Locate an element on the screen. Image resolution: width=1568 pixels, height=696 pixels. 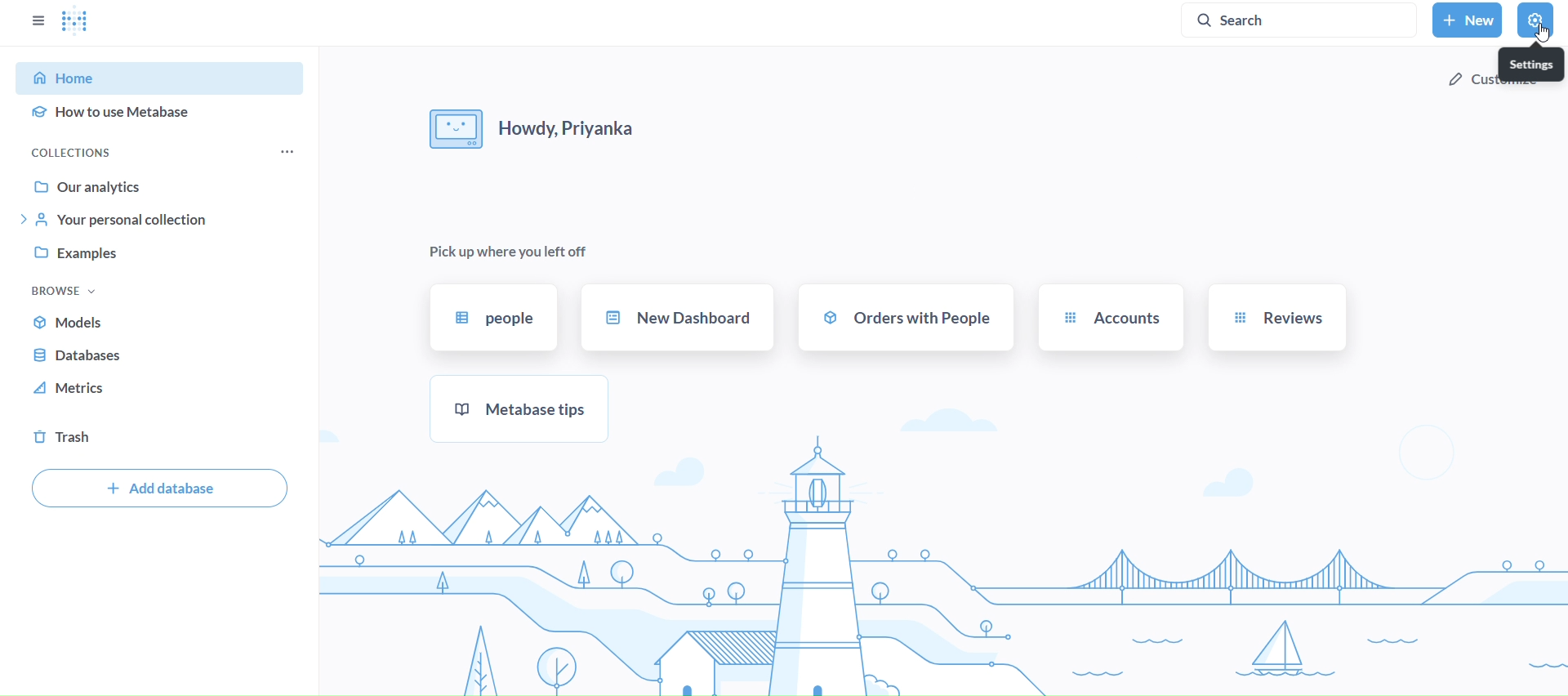
models is located at coordinates (163, 322).